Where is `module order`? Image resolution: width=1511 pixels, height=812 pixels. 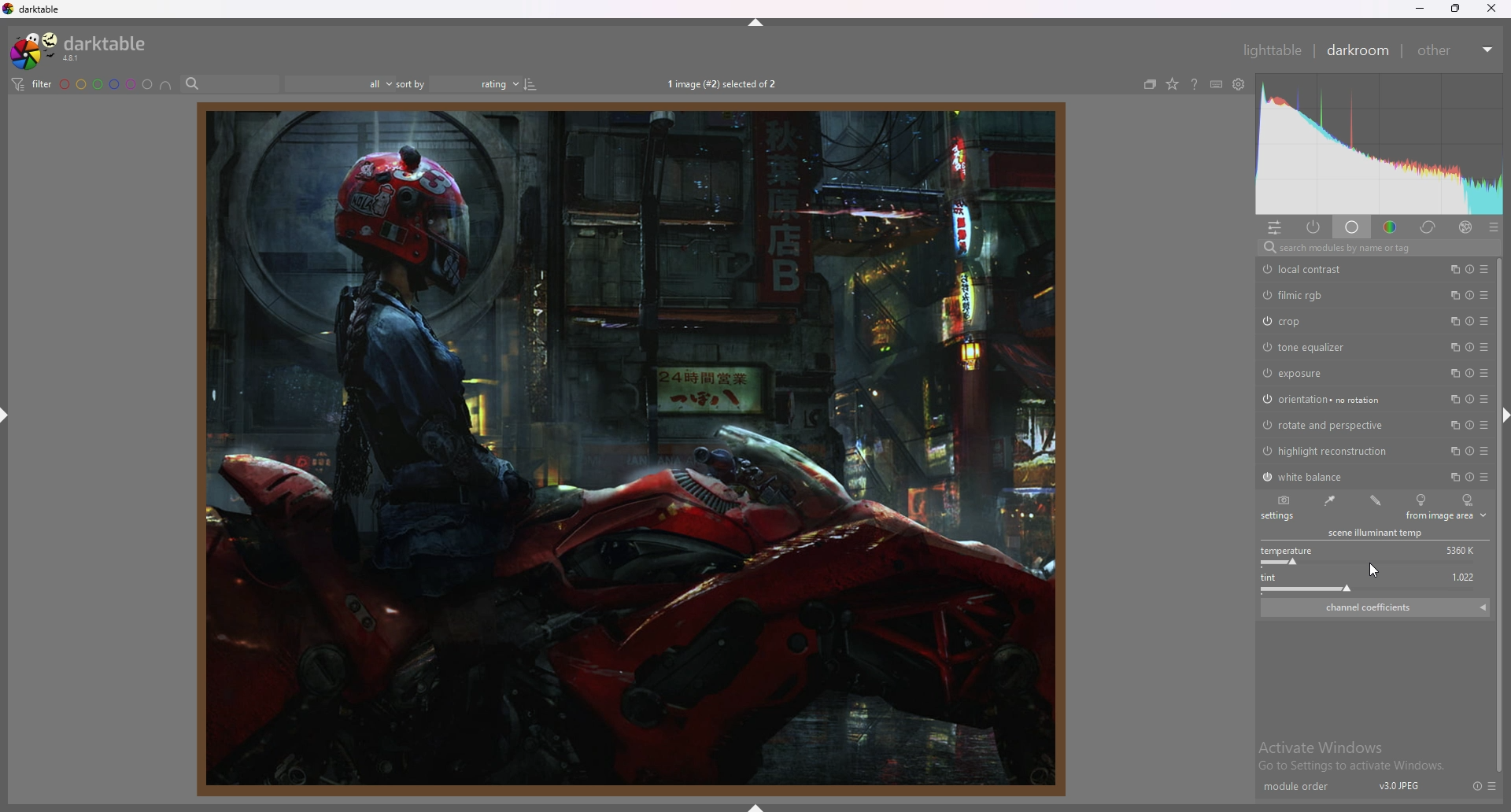
module order is located at coordinates (1296, 785).